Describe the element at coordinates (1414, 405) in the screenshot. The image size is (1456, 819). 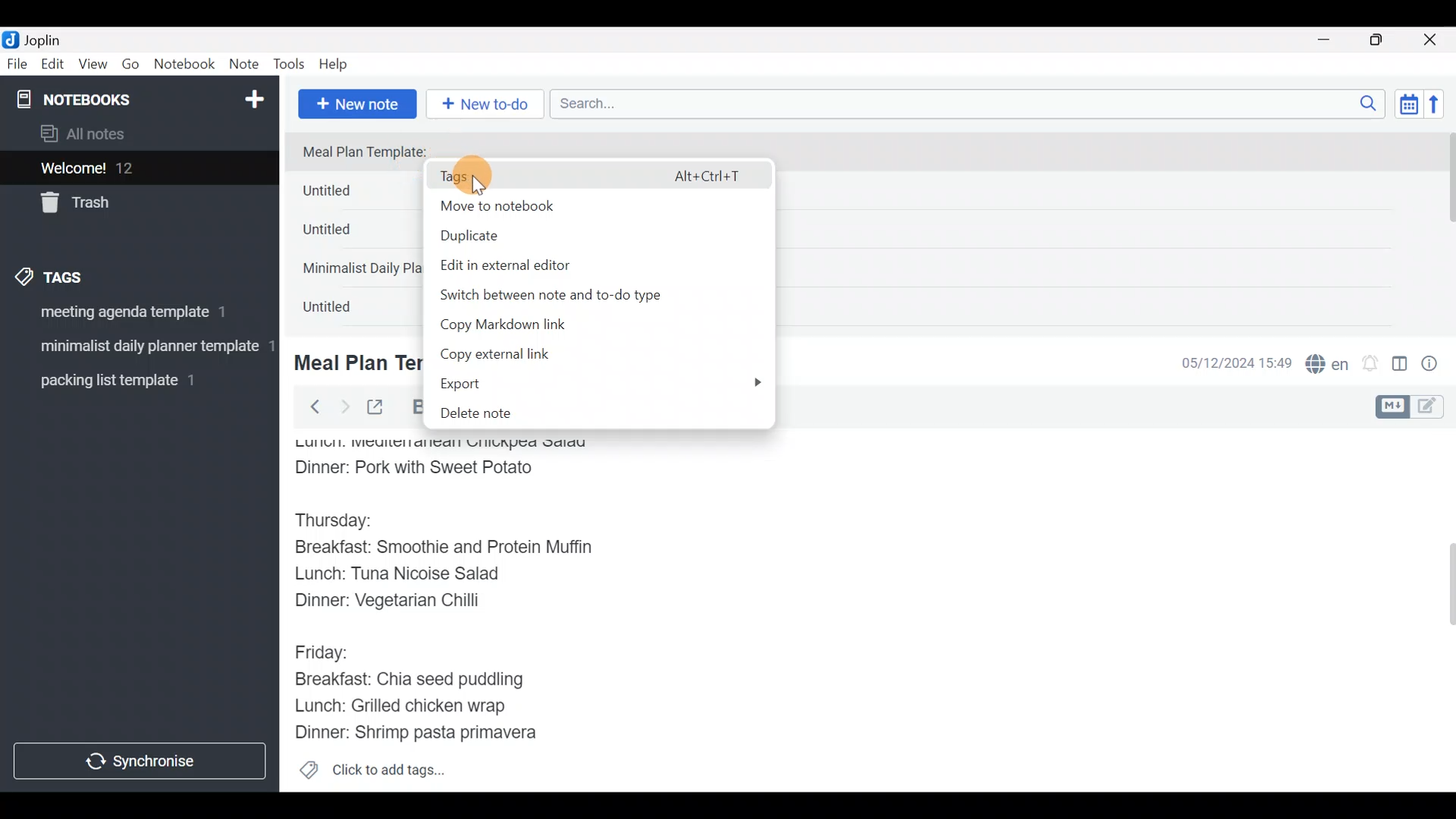
I see `Toggle editors` at that location.